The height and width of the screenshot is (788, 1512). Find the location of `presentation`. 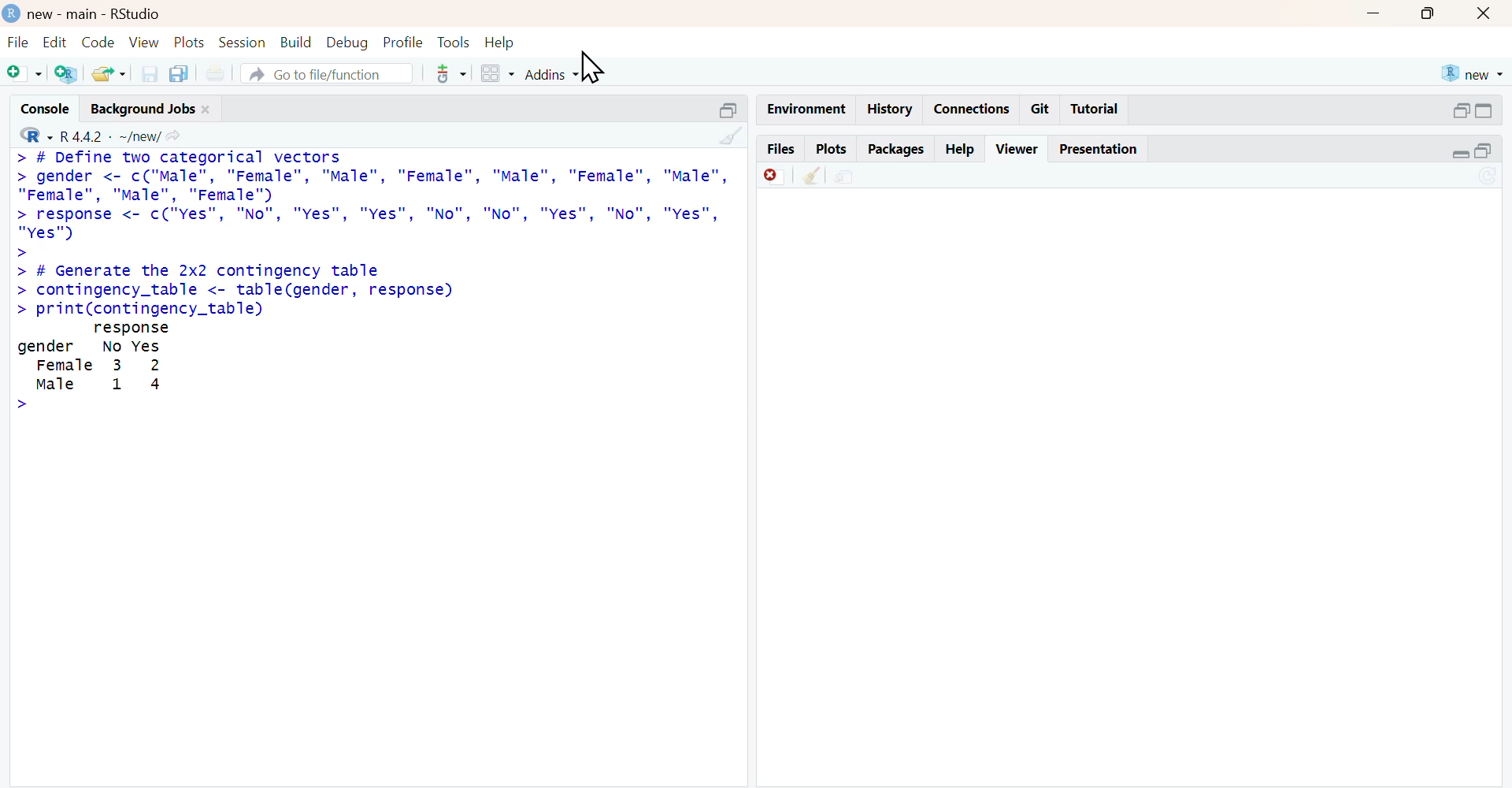

presentation is located at coordinates (1102, 151).